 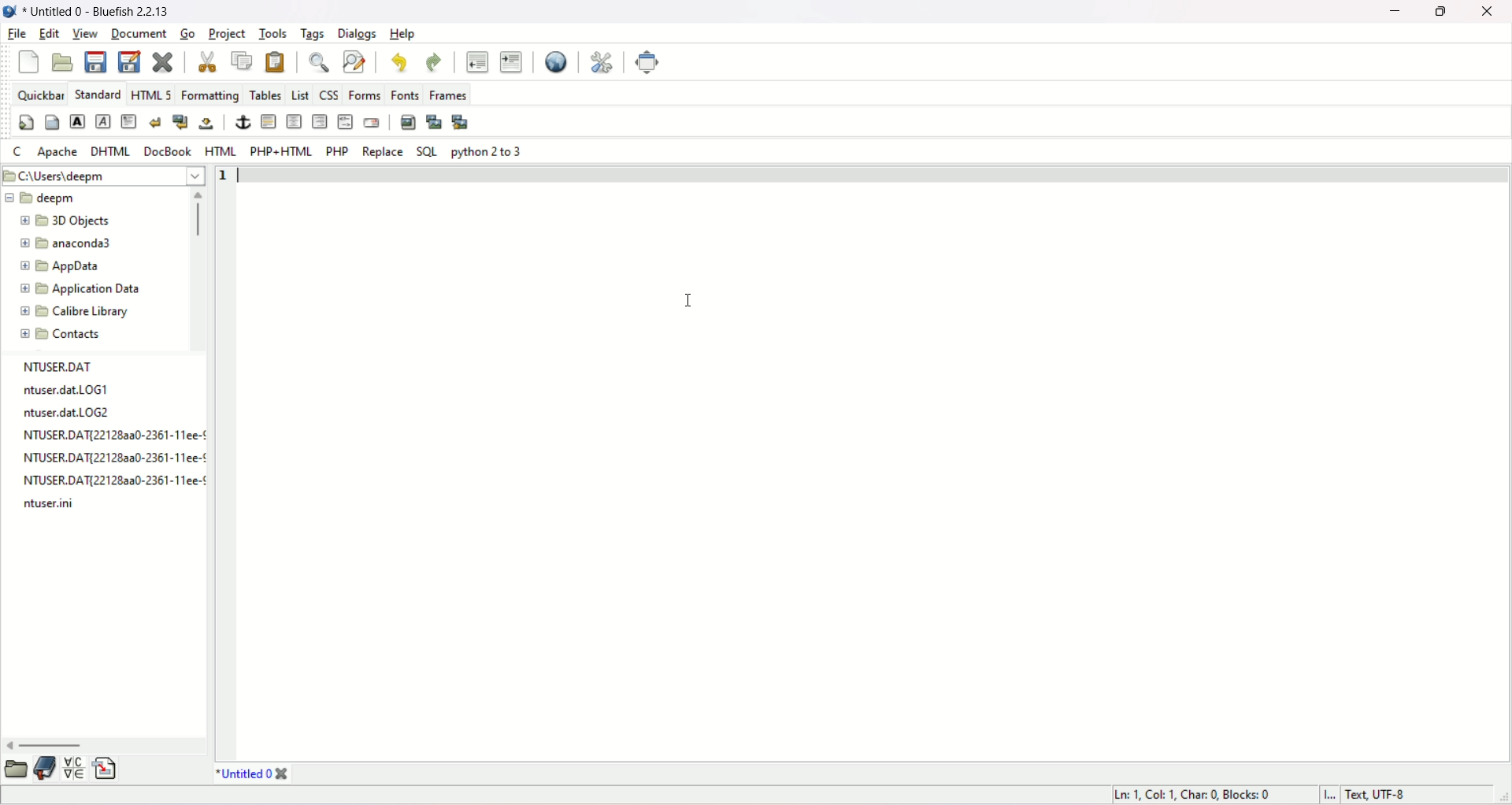 What do you see at coordinates (435, 62) in the screenshot?
I see `redo` at bounding box center [435, 62].